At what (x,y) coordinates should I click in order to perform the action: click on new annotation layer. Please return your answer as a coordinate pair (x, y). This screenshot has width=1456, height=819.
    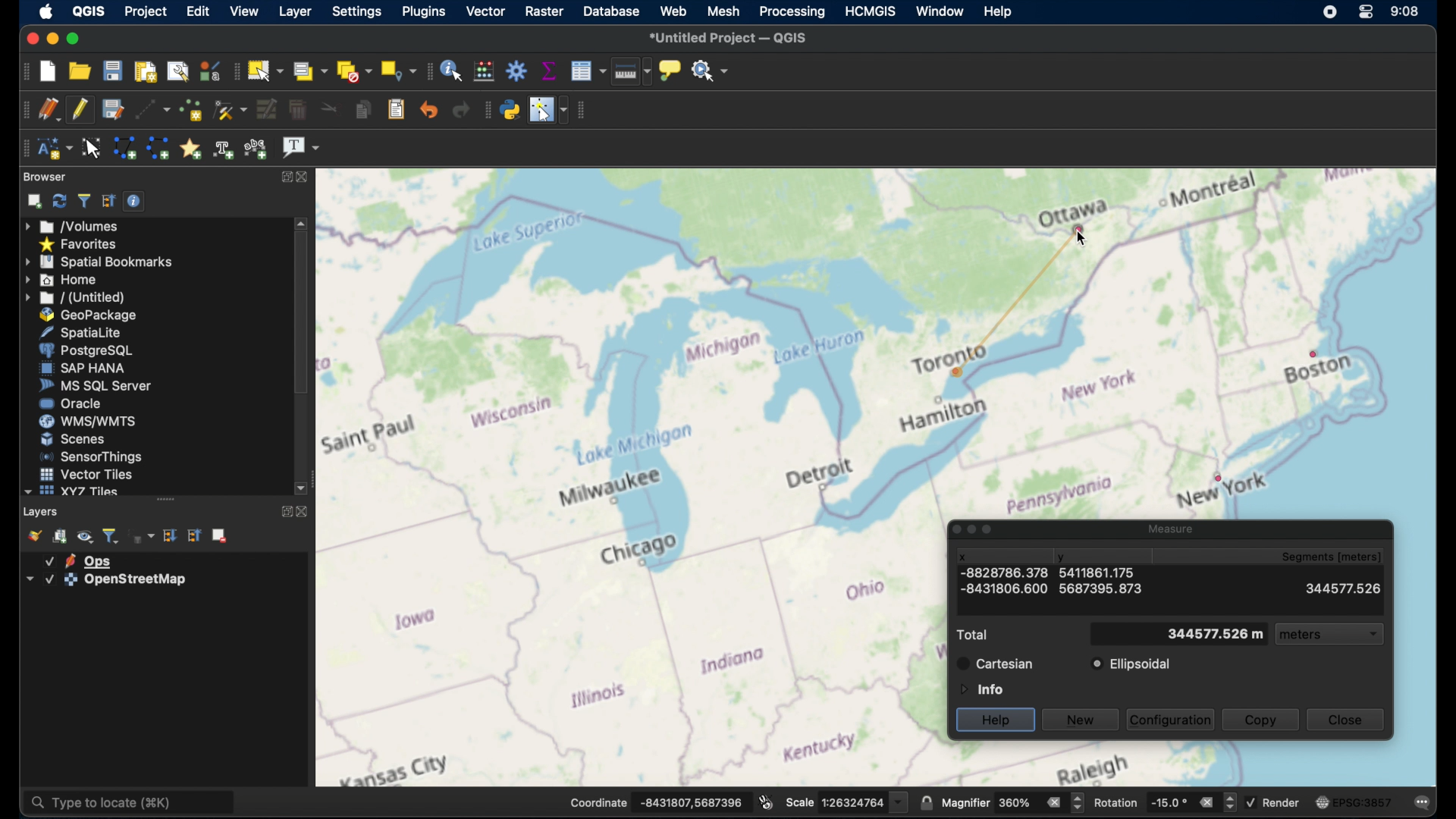
    Looking at the image, I should click on (54, 149).